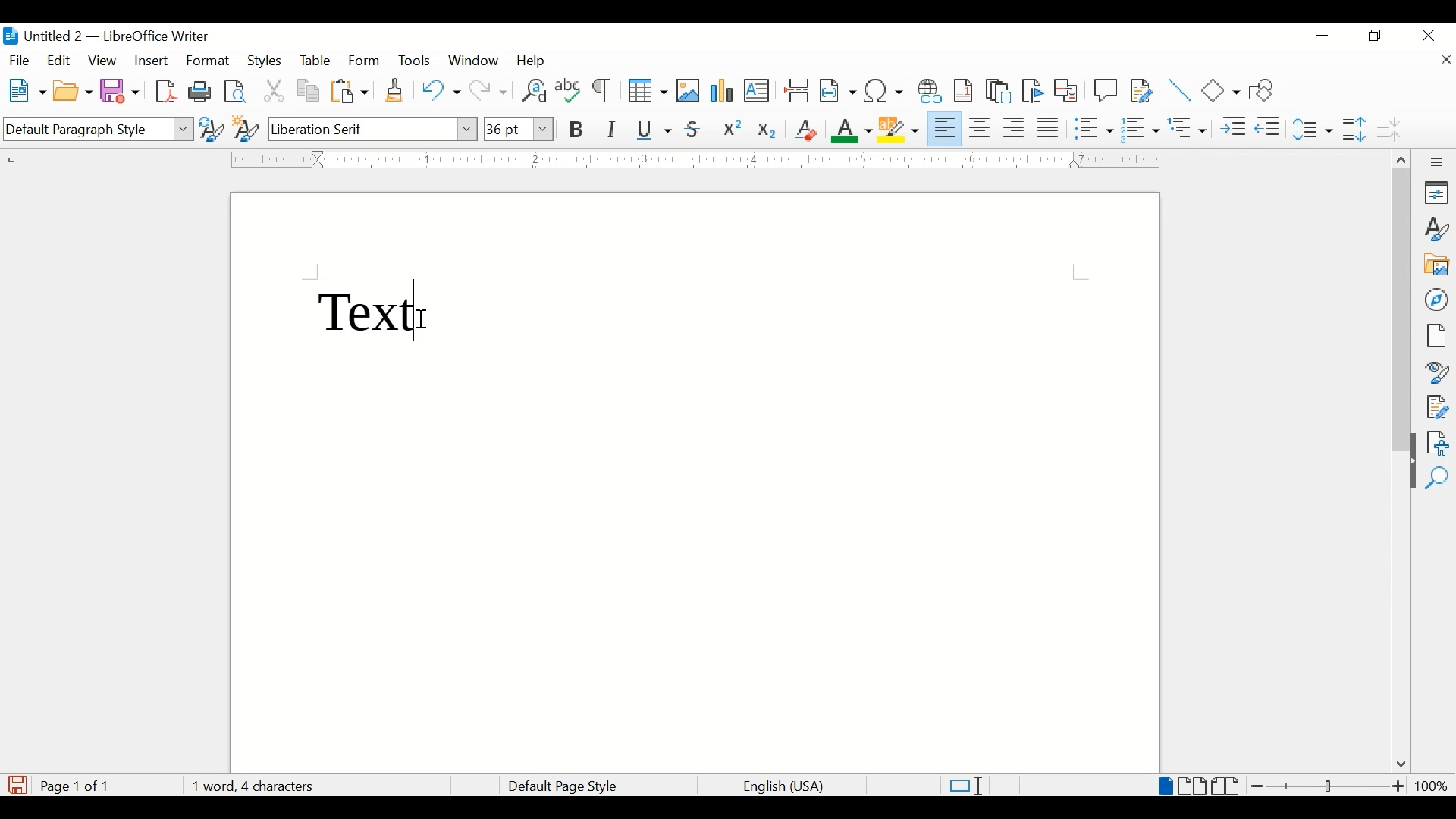 This screenshot has height=819, width=1456. What do you see at coordinates (785, 787) in the screenshot?
I see `language` at bounding box center [785, 787].